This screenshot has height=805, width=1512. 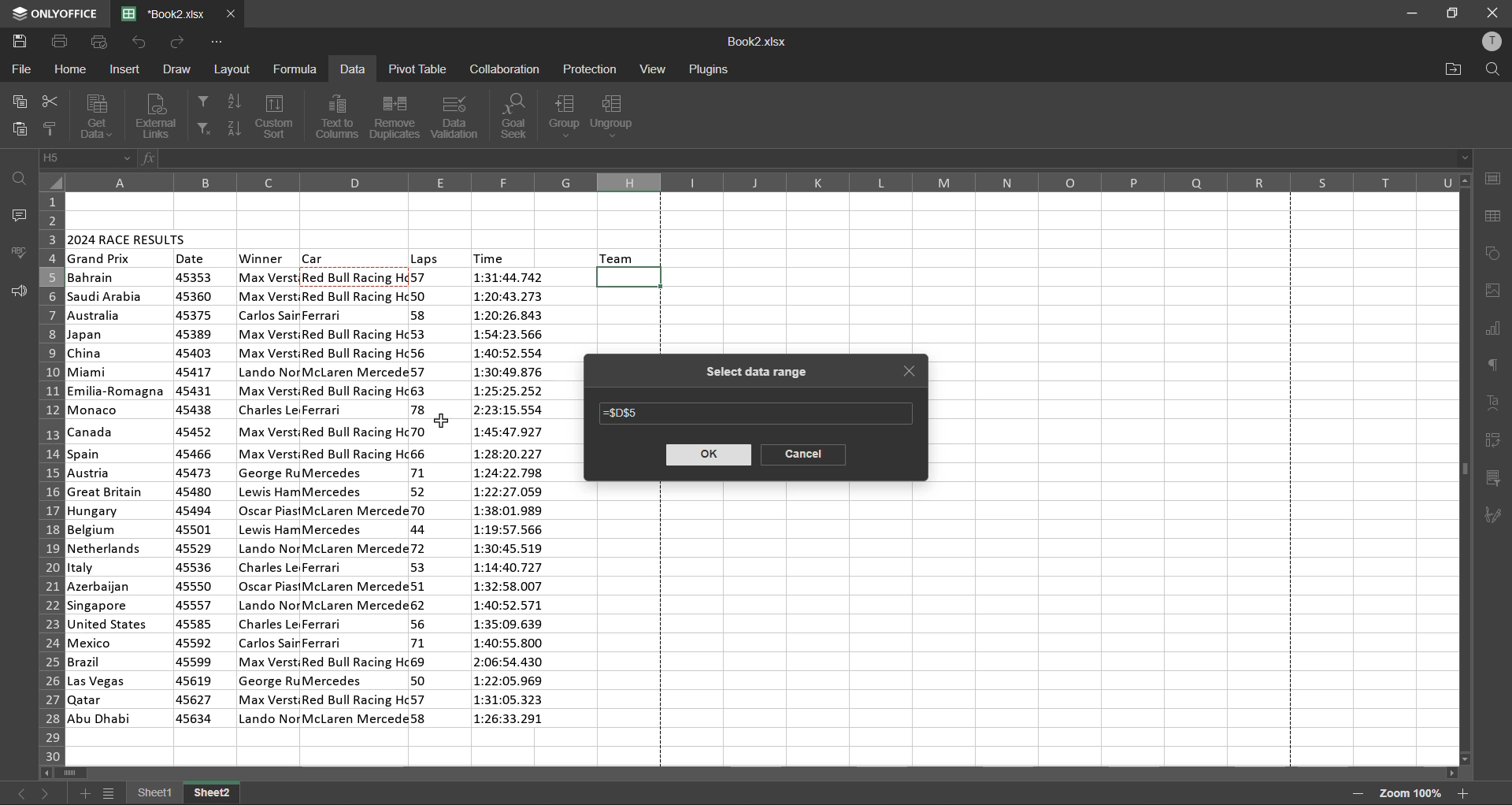 What do you see at coordinates (95, 116) in the screenshot?
I see `get data` at bounding box center [95, 116].